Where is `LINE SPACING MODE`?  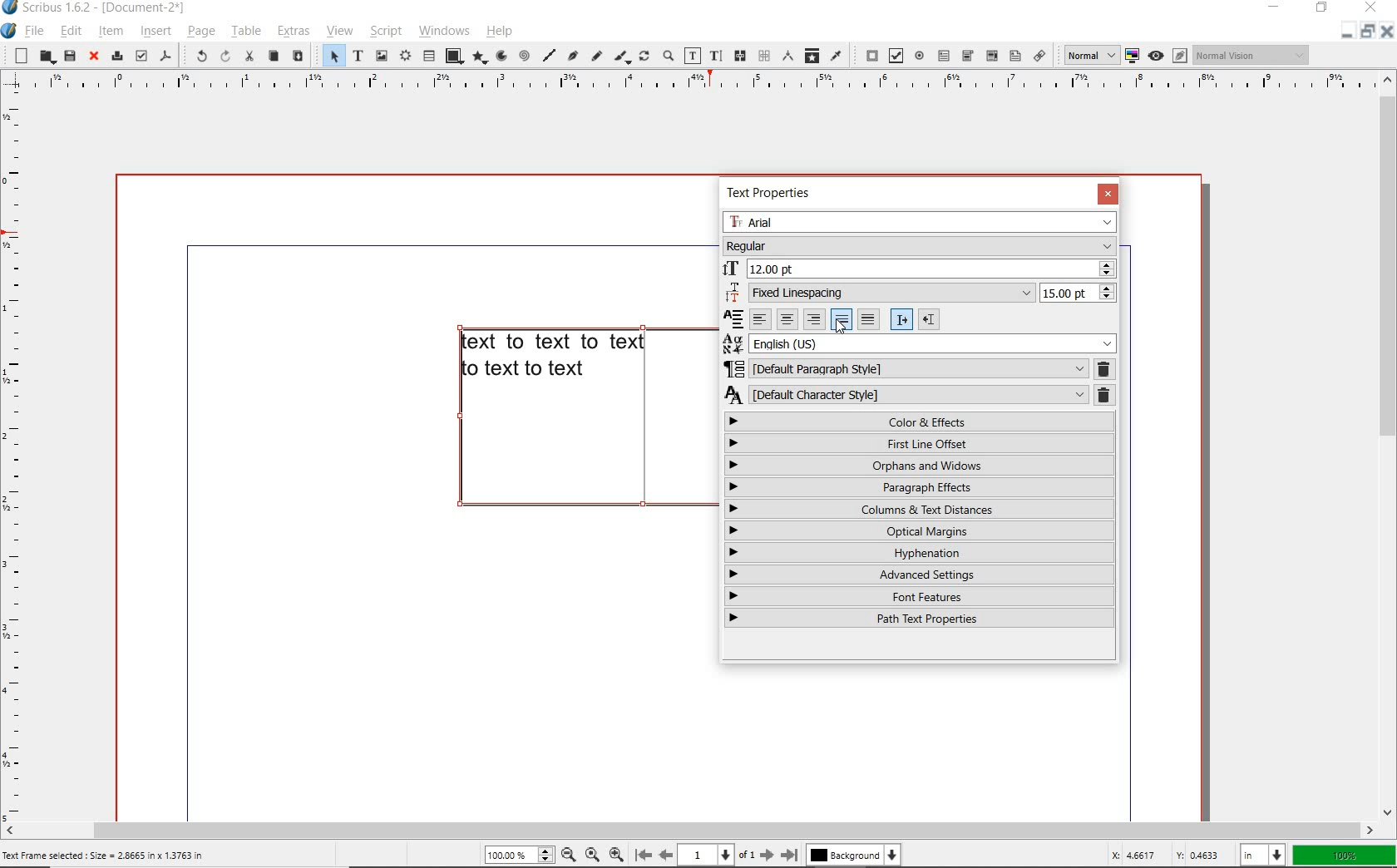
LINE SPACING MODE is located at coordinates (880, 293).